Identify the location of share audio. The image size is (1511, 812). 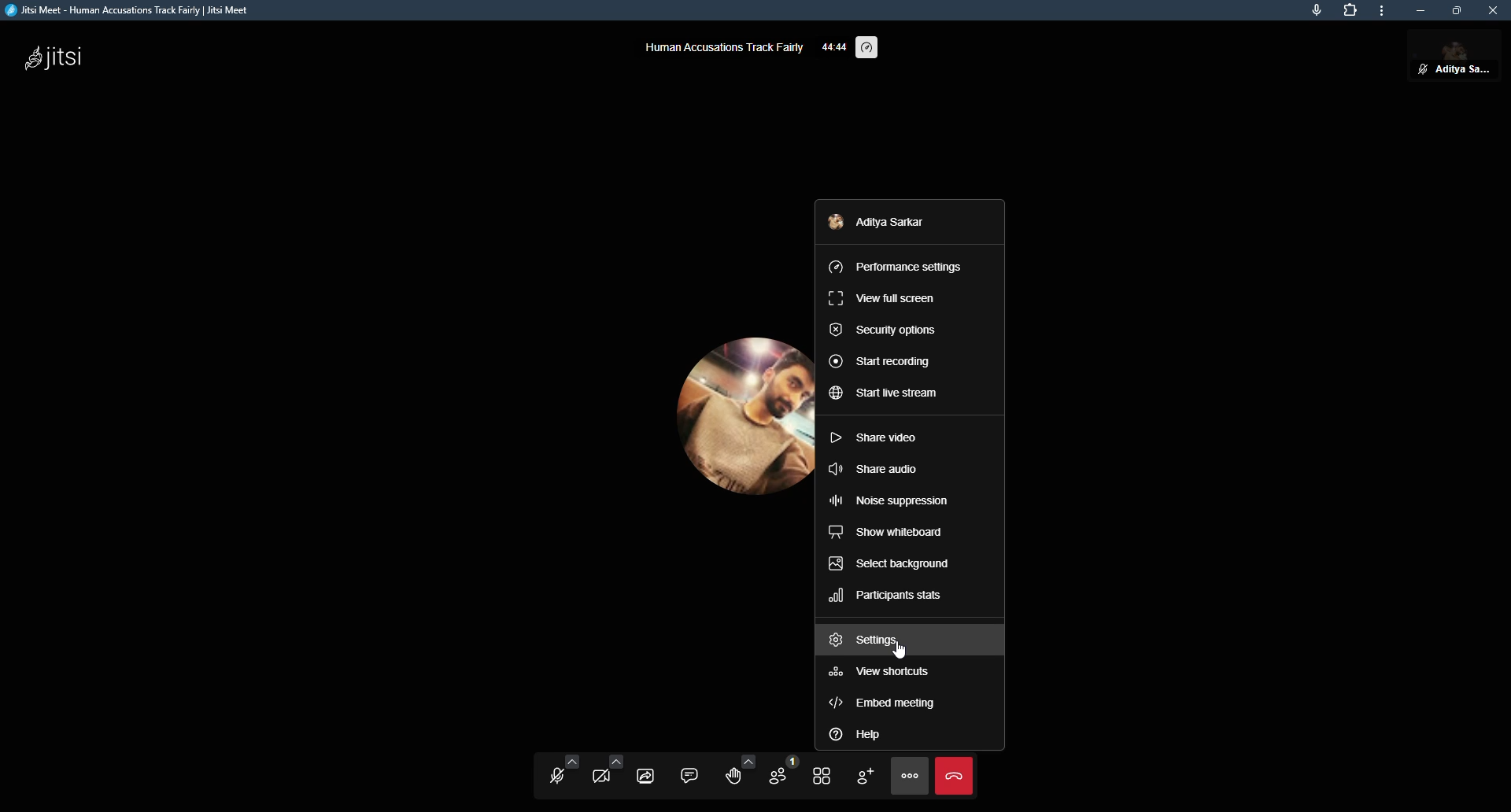
(879, 468).